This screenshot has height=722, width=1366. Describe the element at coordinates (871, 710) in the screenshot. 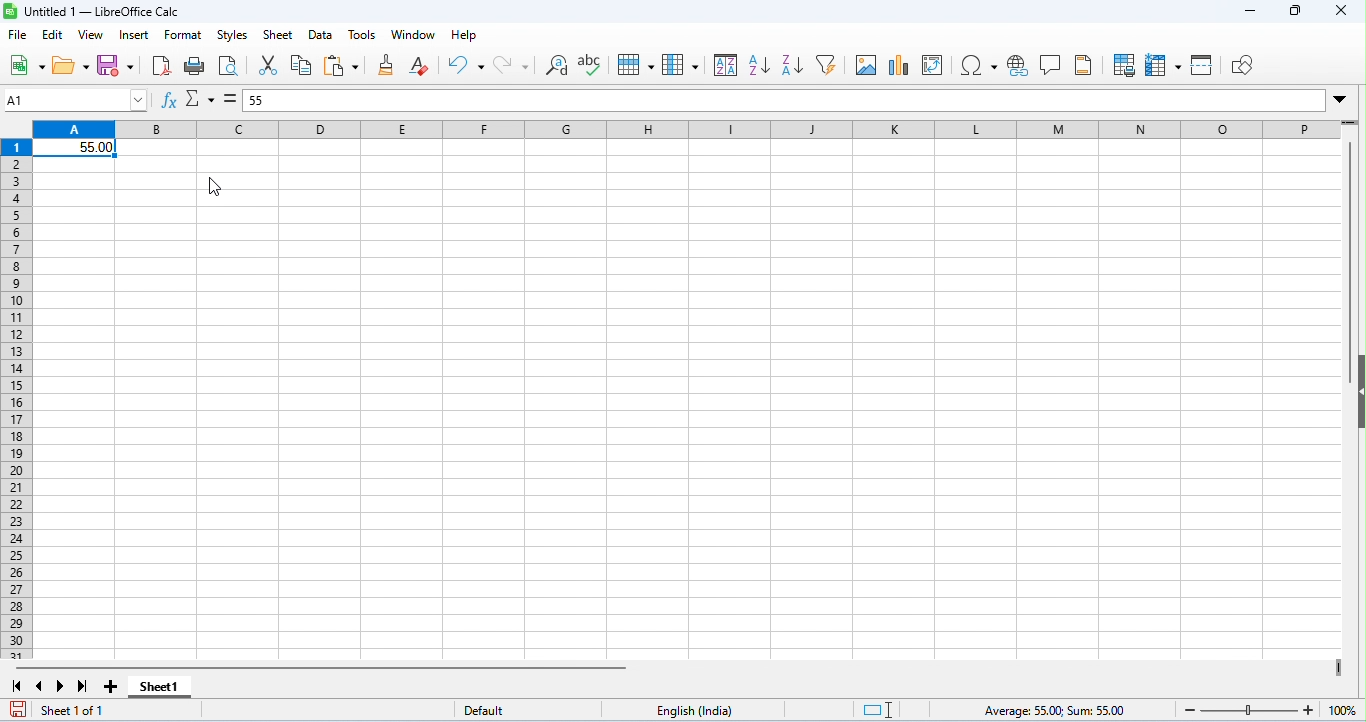

I see `standard selection` at that location.